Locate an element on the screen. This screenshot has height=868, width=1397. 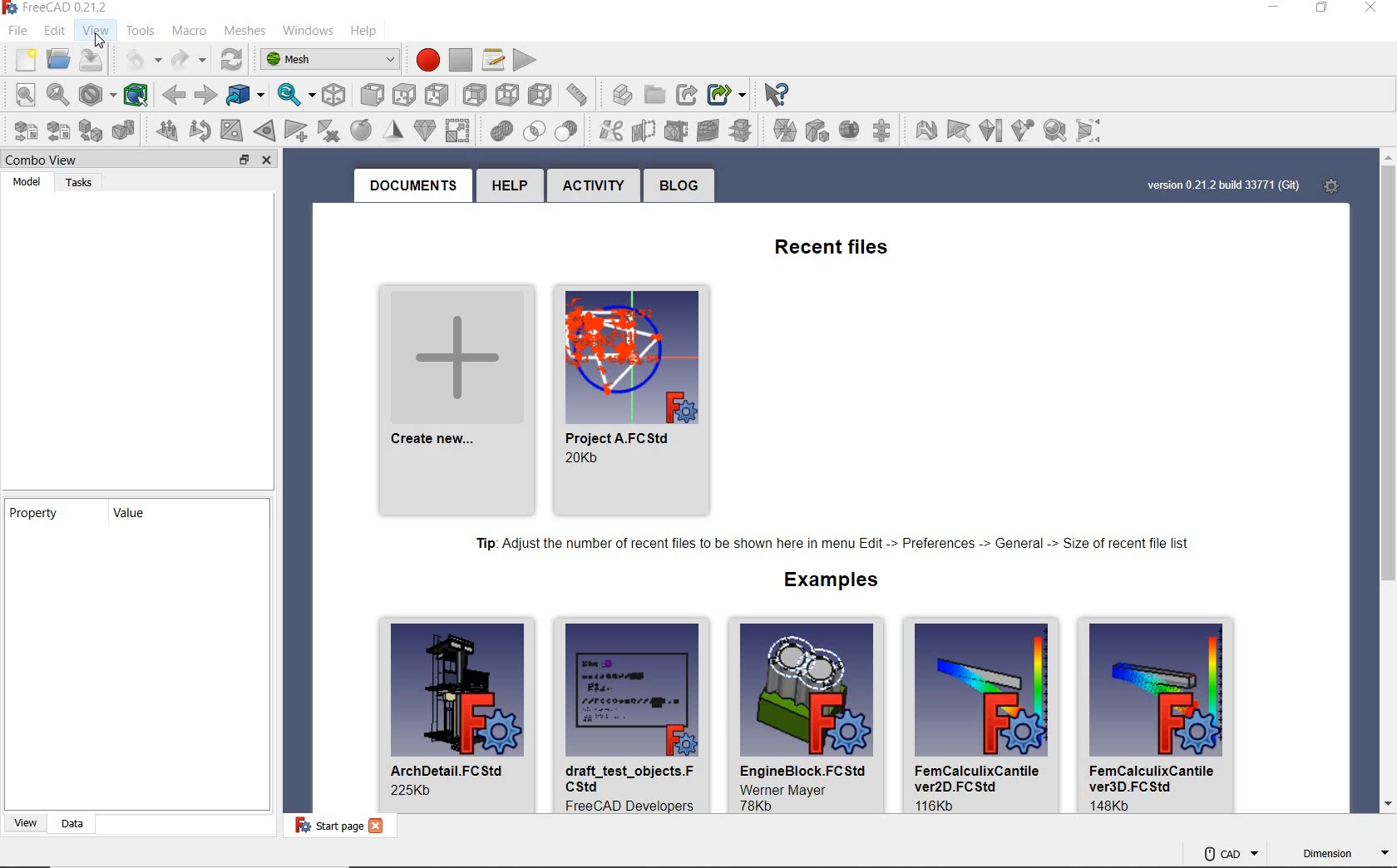
merge is located at coordinates (748, 129).